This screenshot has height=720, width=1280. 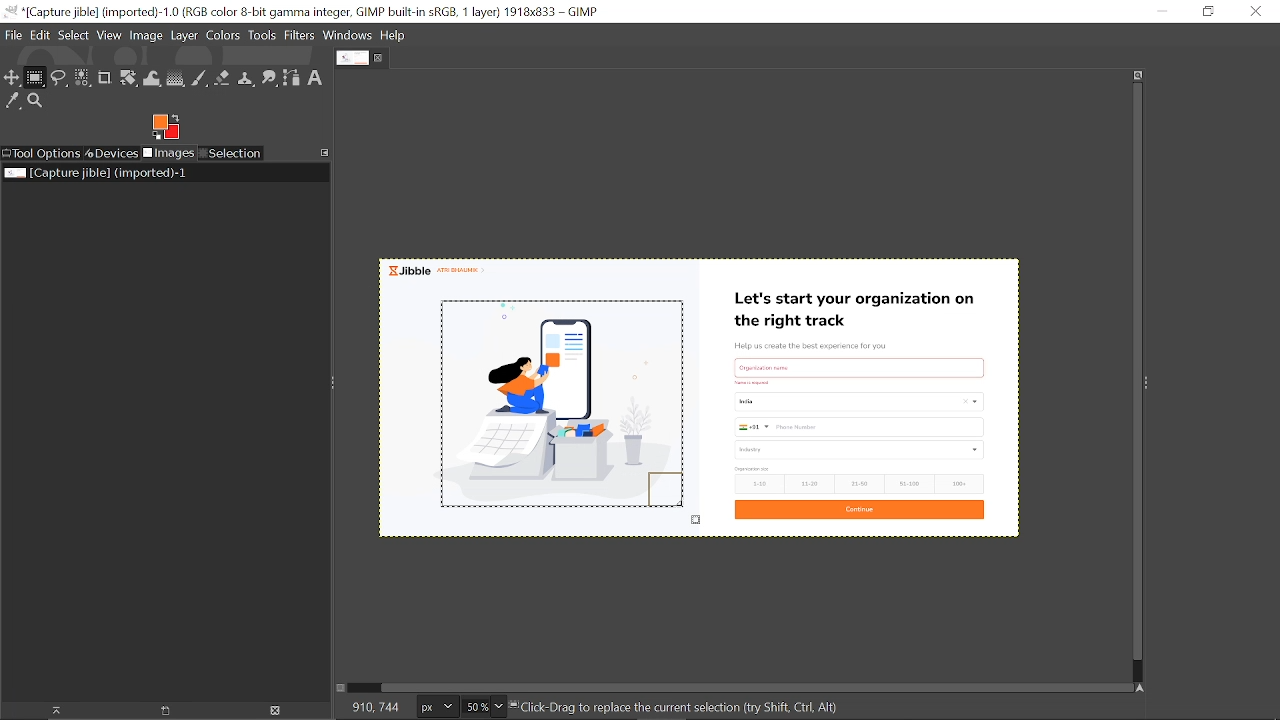 What do you see at coordinates (825, 344) in the screenshot?
I see `Help us create the best experience for you` at bounding box center [825, 344].